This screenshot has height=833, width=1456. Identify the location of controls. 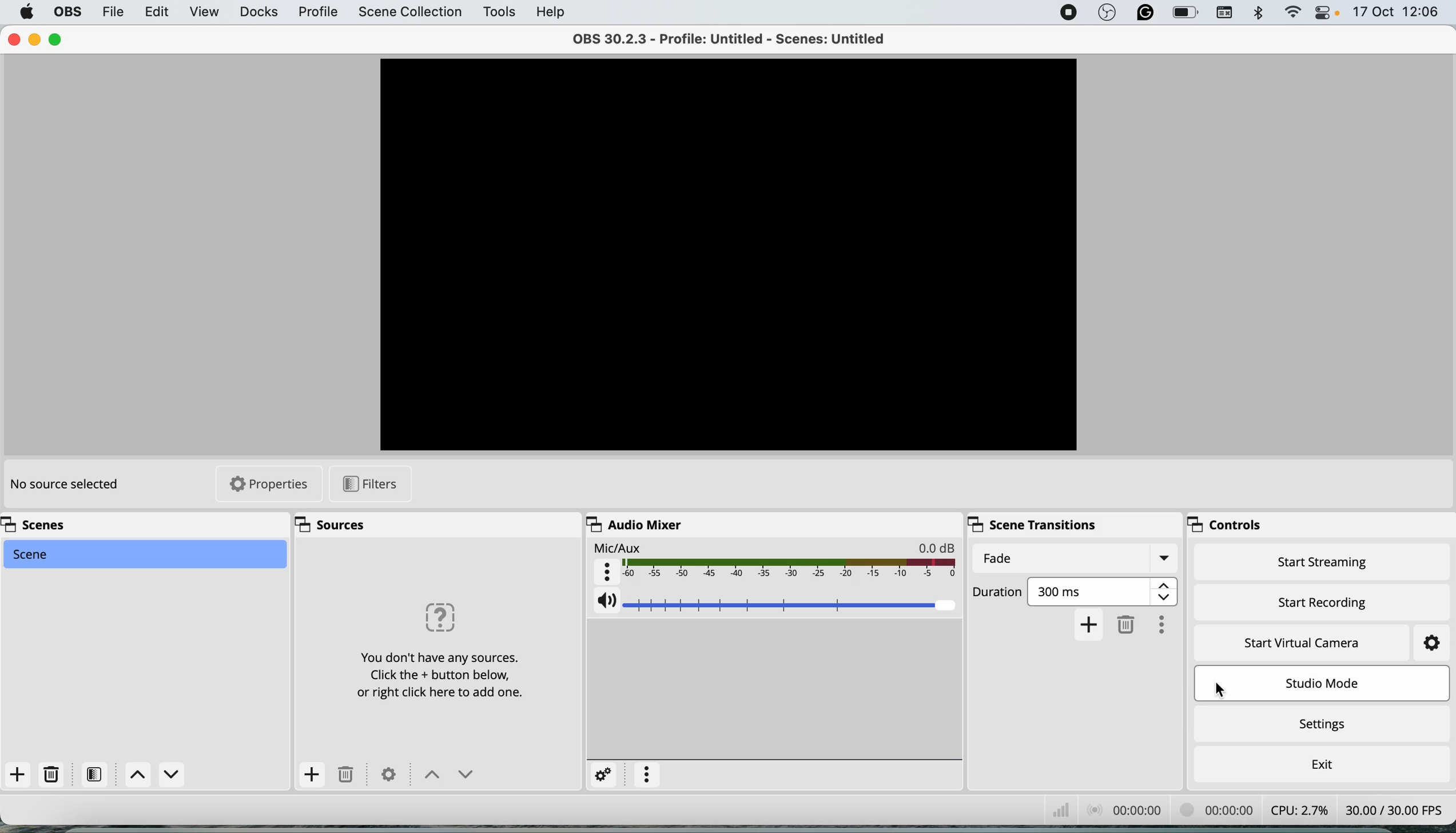
(1232, 523).